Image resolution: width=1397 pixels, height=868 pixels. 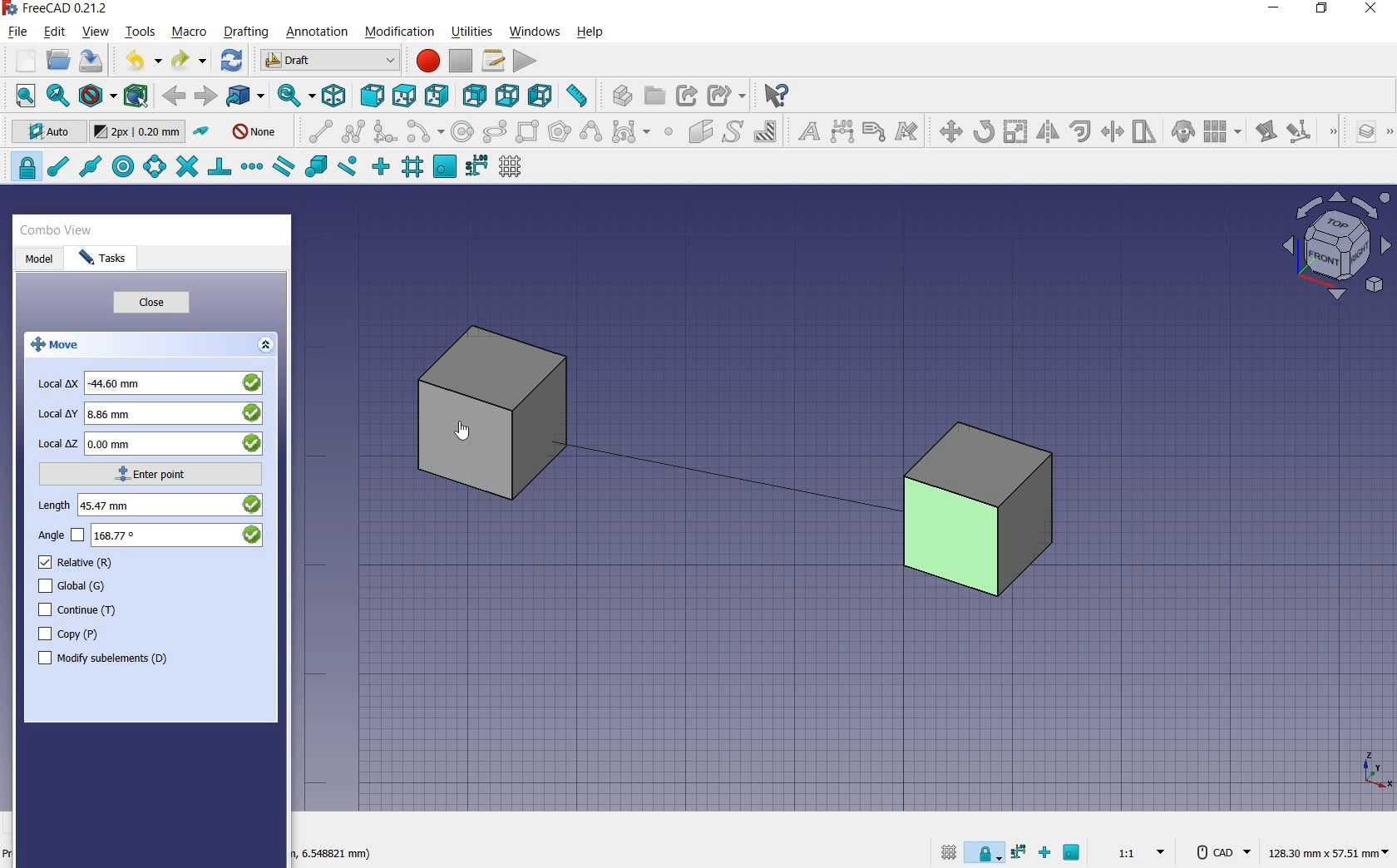 I want to click on mirror, so click(x=1049, y=131).